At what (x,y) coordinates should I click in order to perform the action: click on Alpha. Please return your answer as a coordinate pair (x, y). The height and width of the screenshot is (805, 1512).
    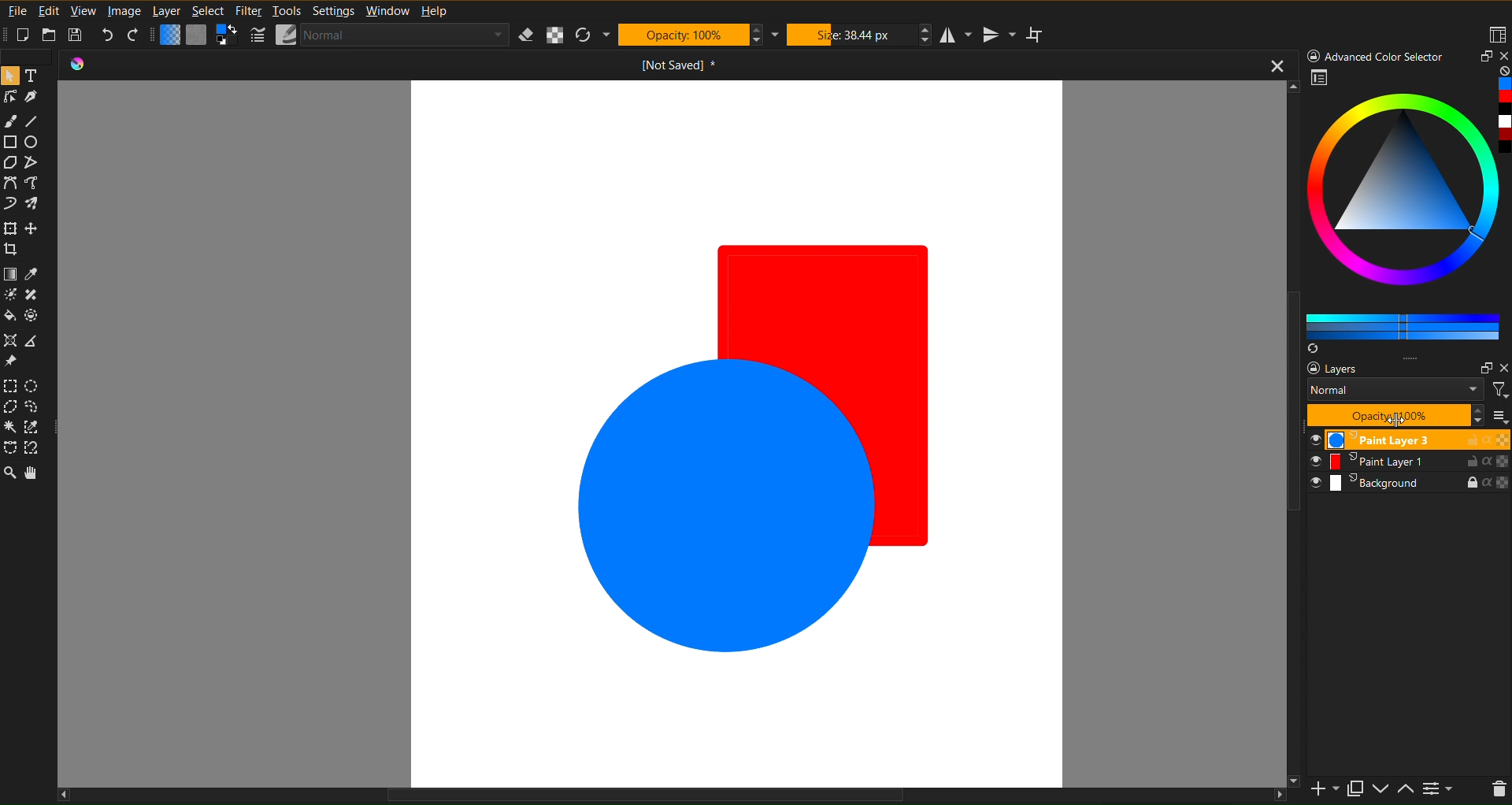
    Looking at the image, I should click on (554, 32).